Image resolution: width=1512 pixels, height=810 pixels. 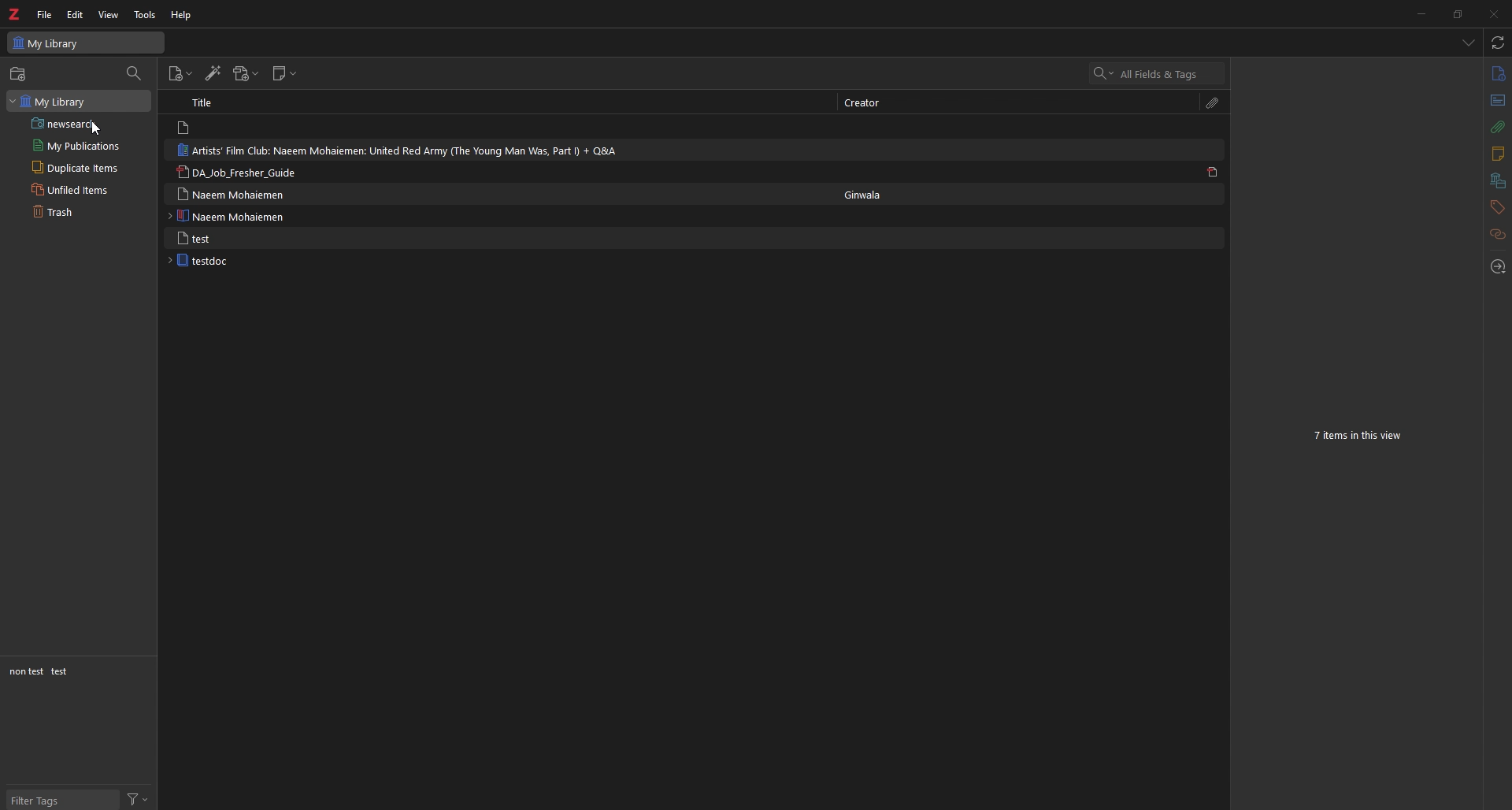 What do you see at coordinates (141, 13) in the screenshot?
I see `Tools` at bounding box center [141, 13].